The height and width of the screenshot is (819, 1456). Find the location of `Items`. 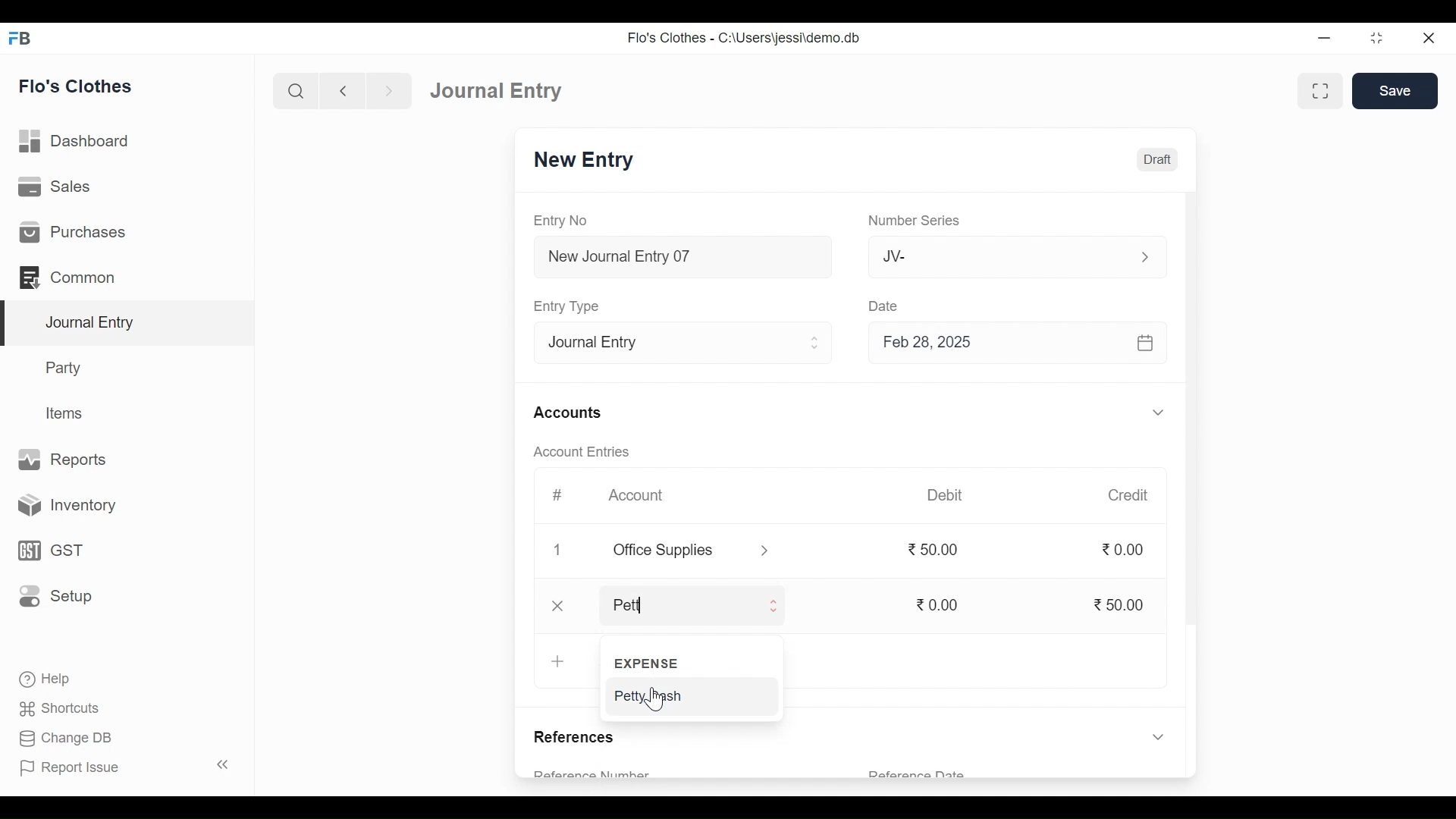

Items is located at coordinates (67, 413).